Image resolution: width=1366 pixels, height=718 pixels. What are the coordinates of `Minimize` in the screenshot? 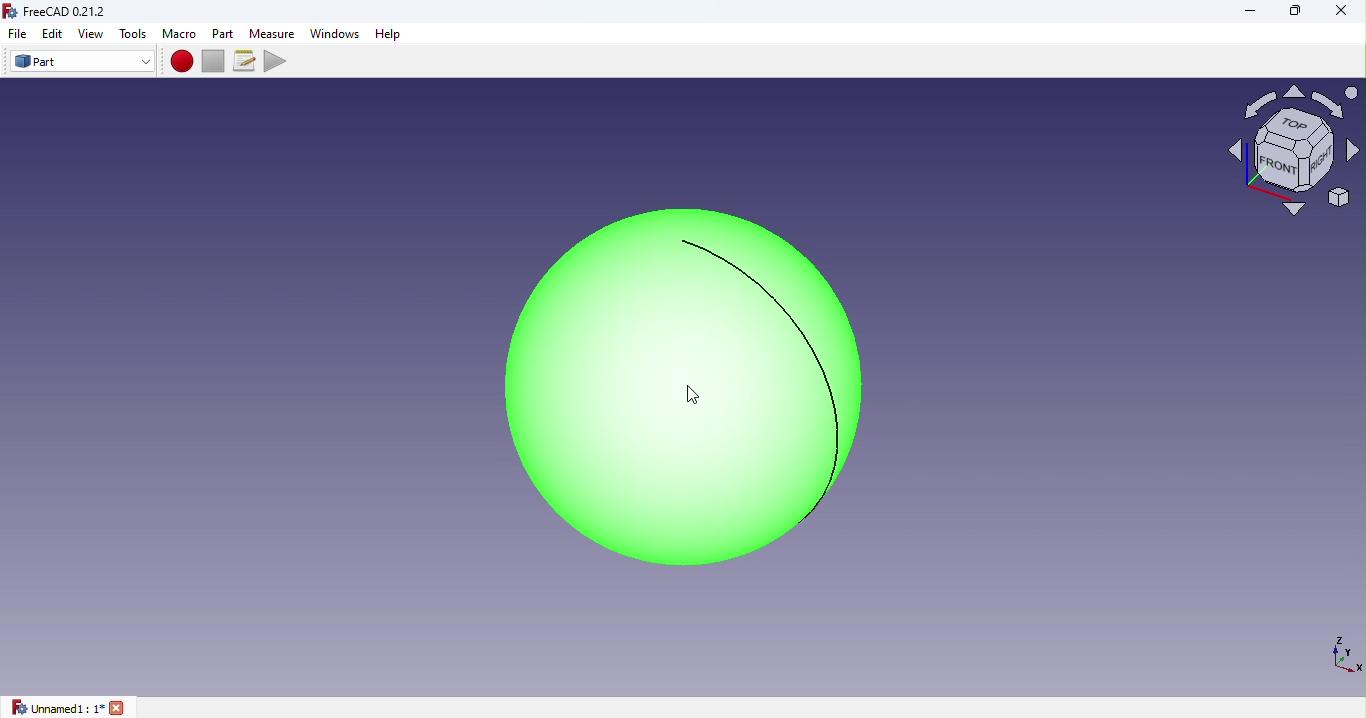 It's located at (1247, 11).